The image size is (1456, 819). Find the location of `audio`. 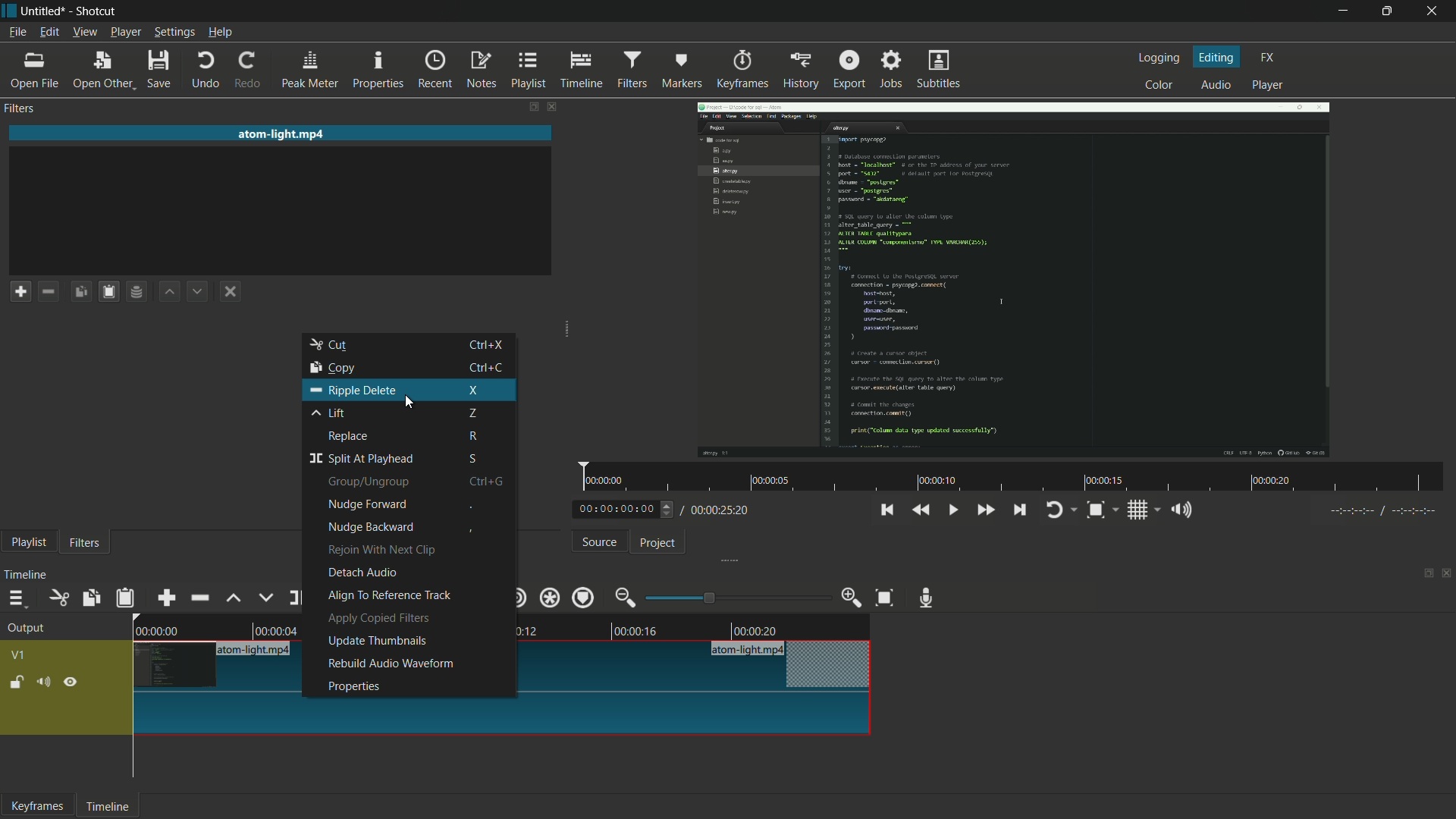

audio is located at coordinates (1217, 85).